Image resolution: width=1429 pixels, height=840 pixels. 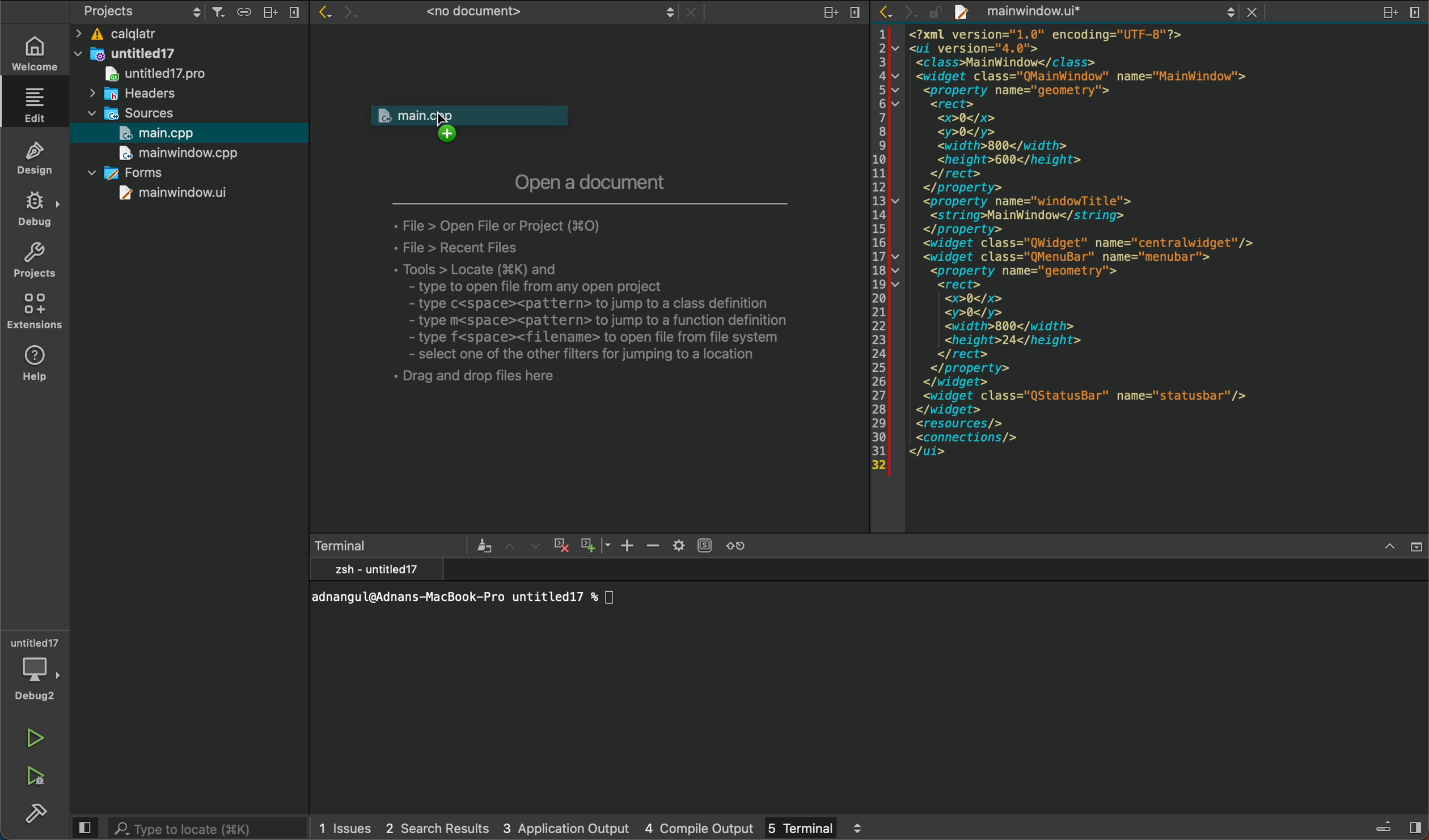 What do you see at coordinates (36, 156) in the screenshot?
I see `design` at bounding box center [36, 156].